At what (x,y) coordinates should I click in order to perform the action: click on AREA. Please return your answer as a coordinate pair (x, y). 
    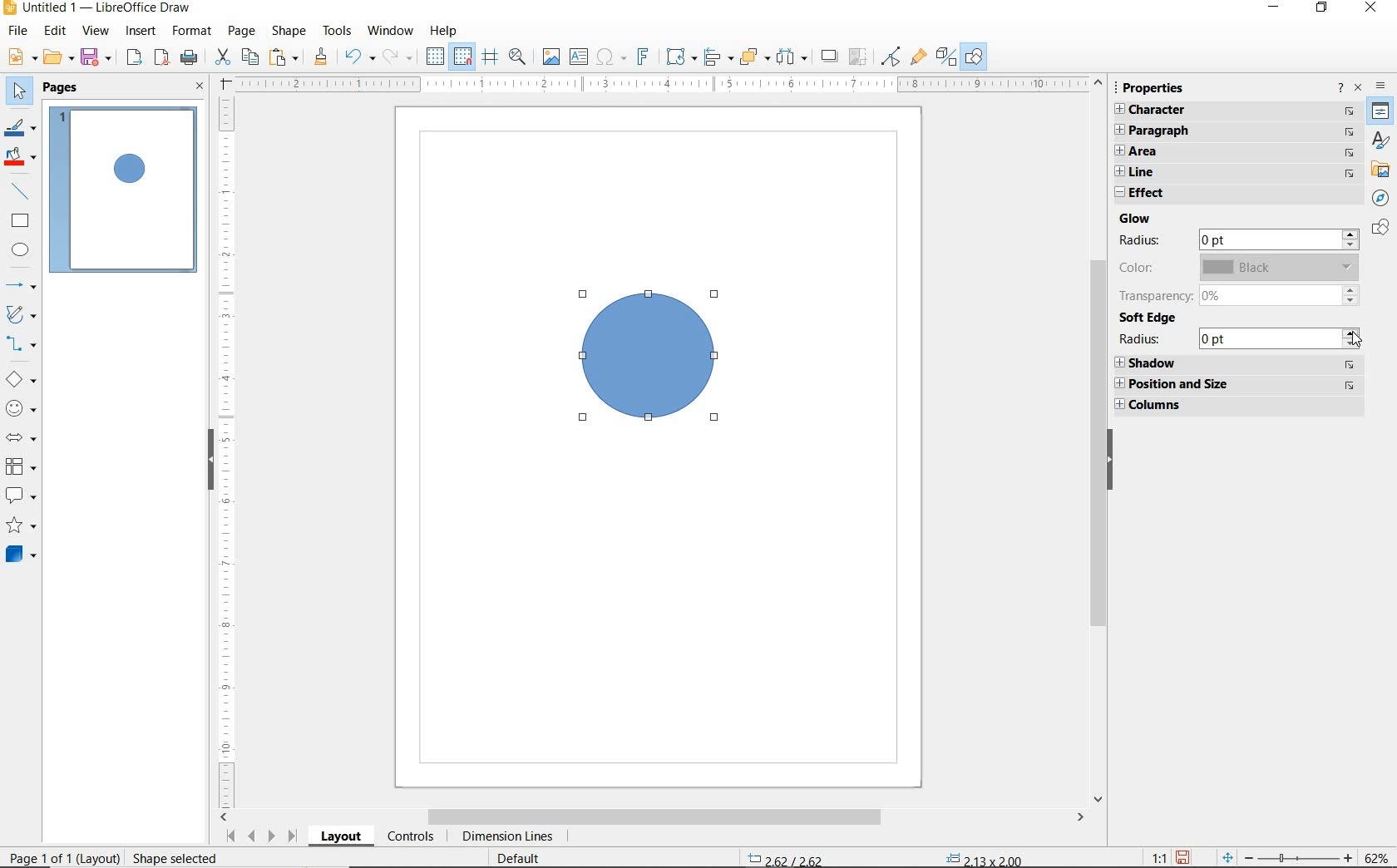
    Looking at the image, I should click on (1224, 152).